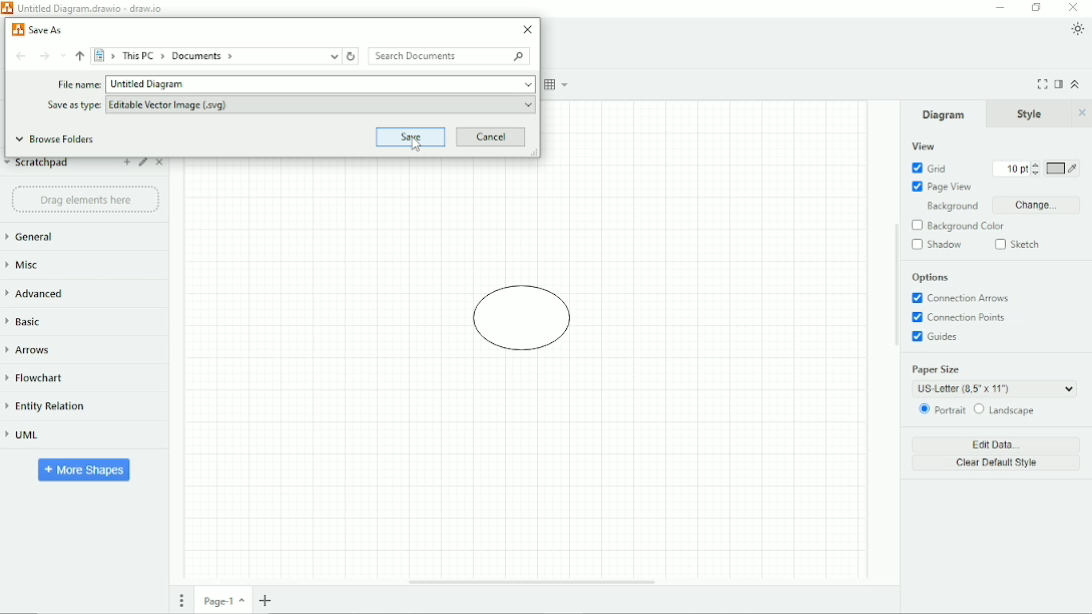 This screenshot has width=1092, height=614. What do you see at coordinates (963, 317) in the screenshot?
I see `Connection Points` at bounding box center [963, 317].